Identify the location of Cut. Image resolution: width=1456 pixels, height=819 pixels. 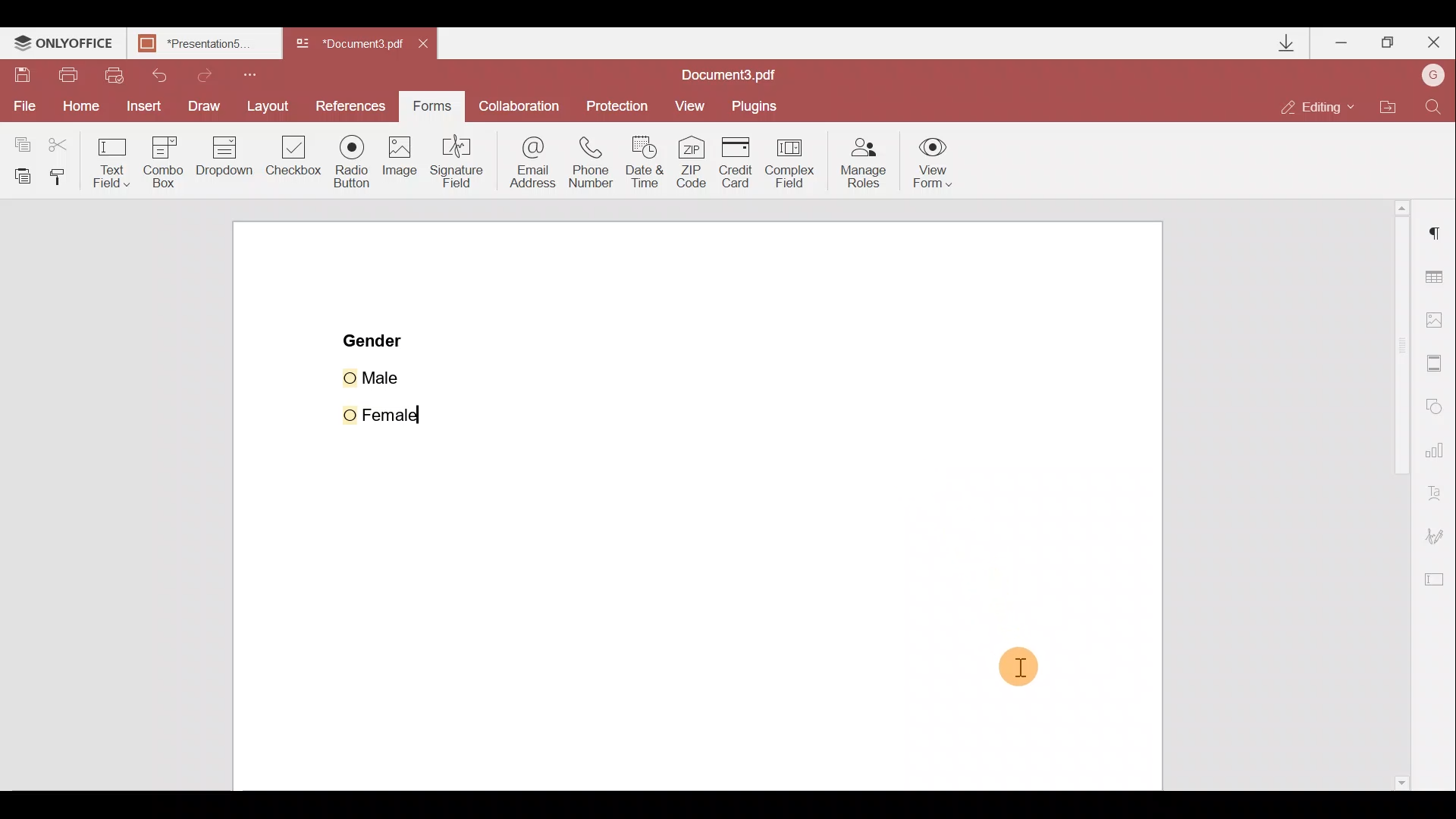
(58, 142).